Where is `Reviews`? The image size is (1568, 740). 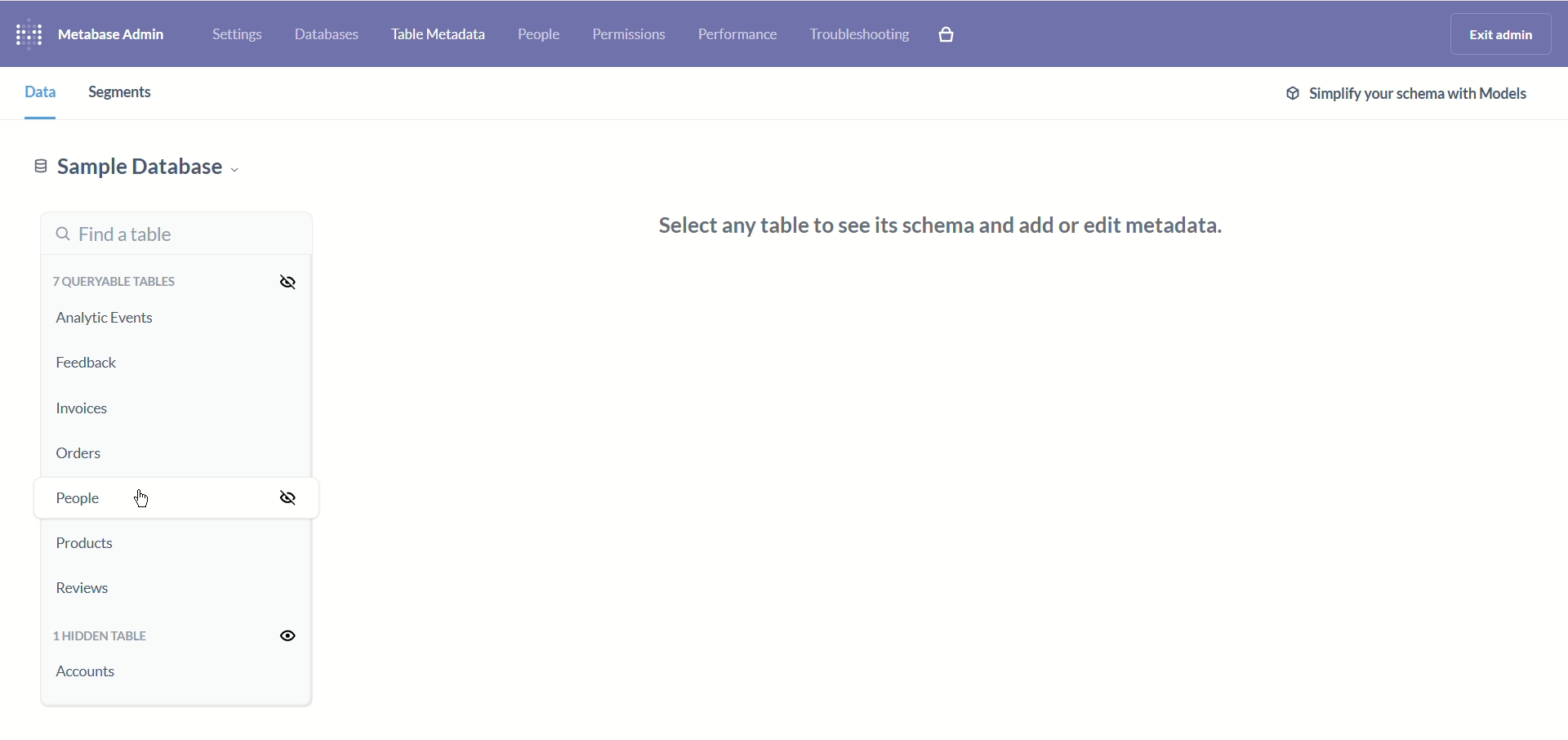
Reviews is located at coordinates (110, 587).